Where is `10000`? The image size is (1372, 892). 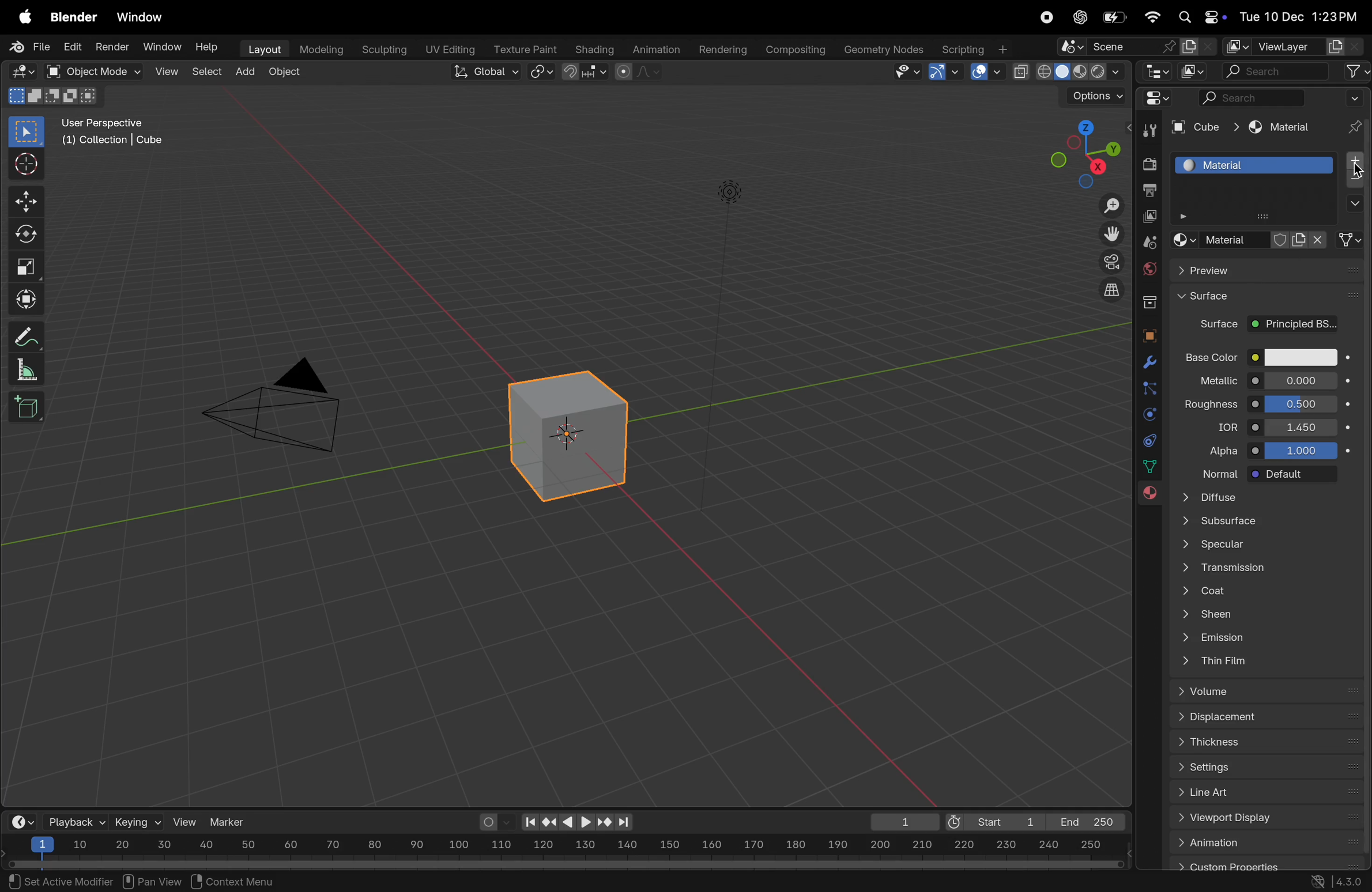 10000 is located at coordinates (1303, 451).